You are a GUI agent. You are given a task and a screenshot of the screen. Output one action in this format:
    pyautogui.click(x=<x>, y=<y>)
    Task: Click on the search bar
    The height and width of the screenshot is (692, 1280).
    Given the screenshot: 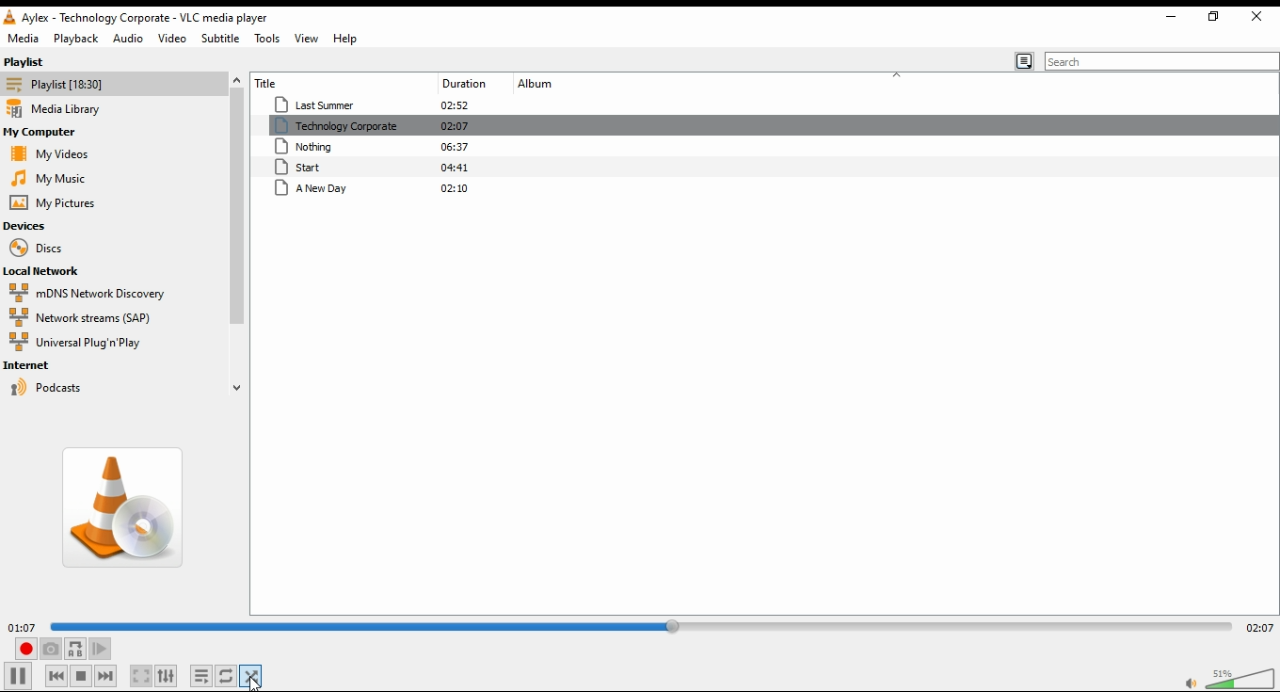 What is the action you would take?
    pyautogui.click(x=1161, y=61)
    